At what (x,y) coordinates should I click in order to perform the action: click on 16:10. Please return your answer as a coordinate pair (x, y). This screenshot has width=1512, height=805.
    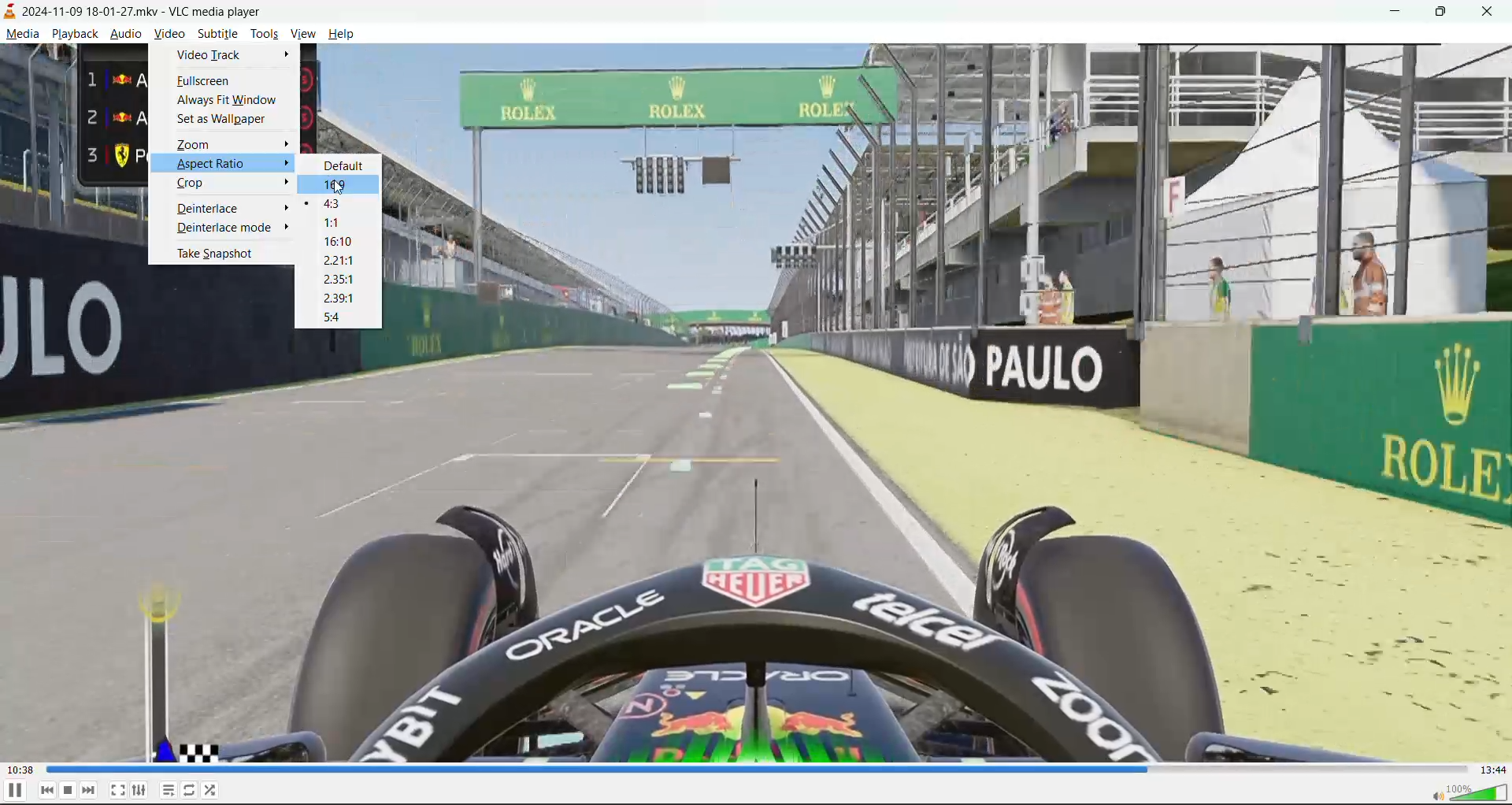
    Looking at the image, I should click on (344, 243).